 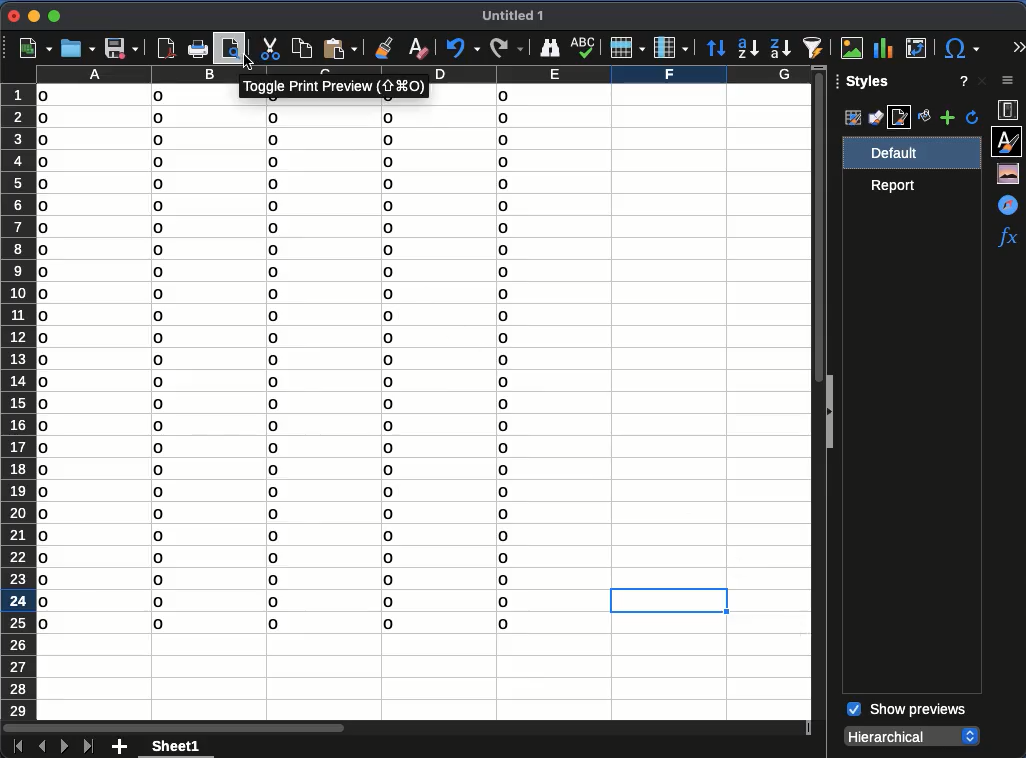 What do you see at coordinates (918, 48) in the screenshot?
I see `pivot table` at bounding box center [918, 48].